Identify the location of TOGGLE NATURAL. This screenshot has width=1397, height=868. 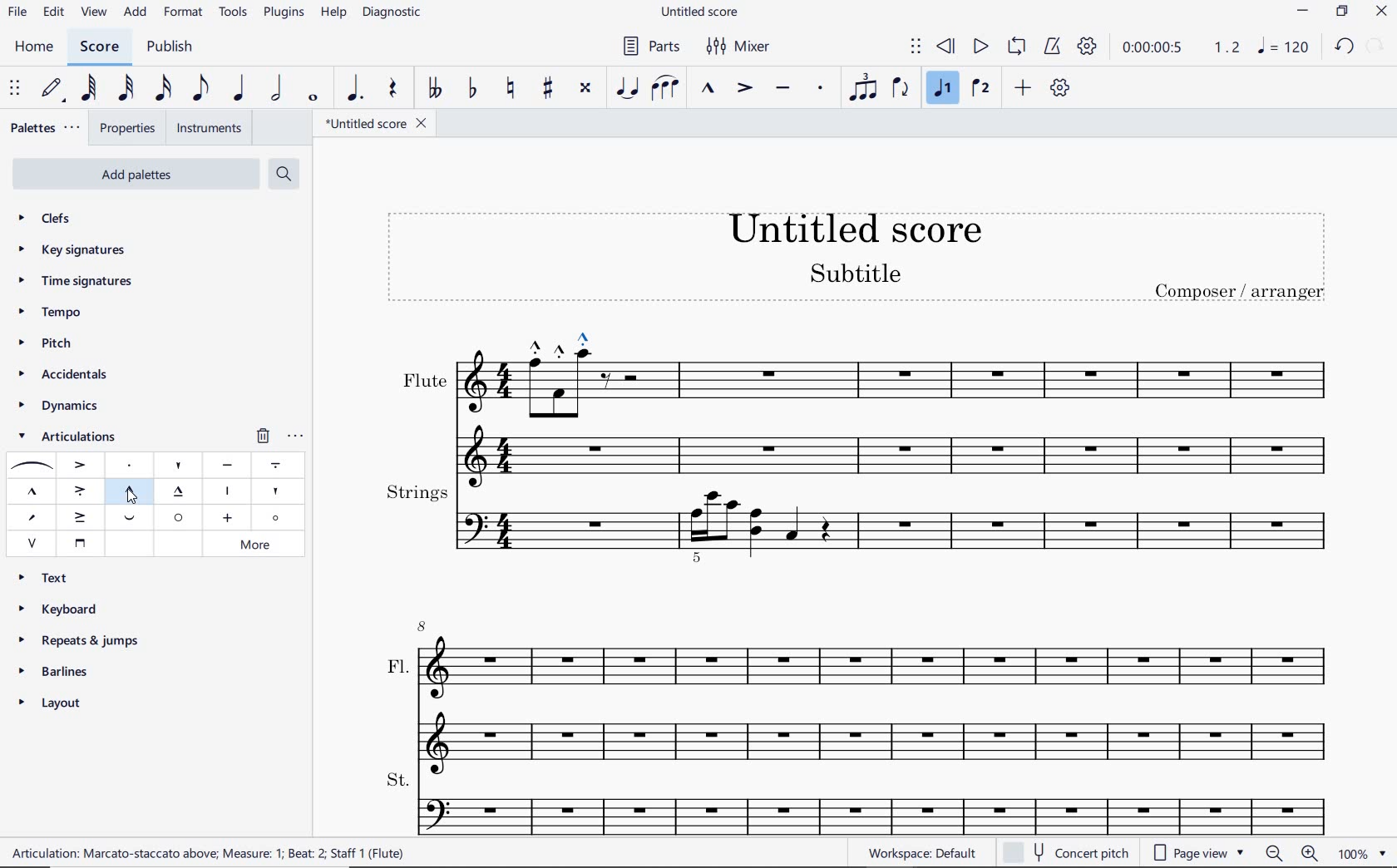
(511, 89).